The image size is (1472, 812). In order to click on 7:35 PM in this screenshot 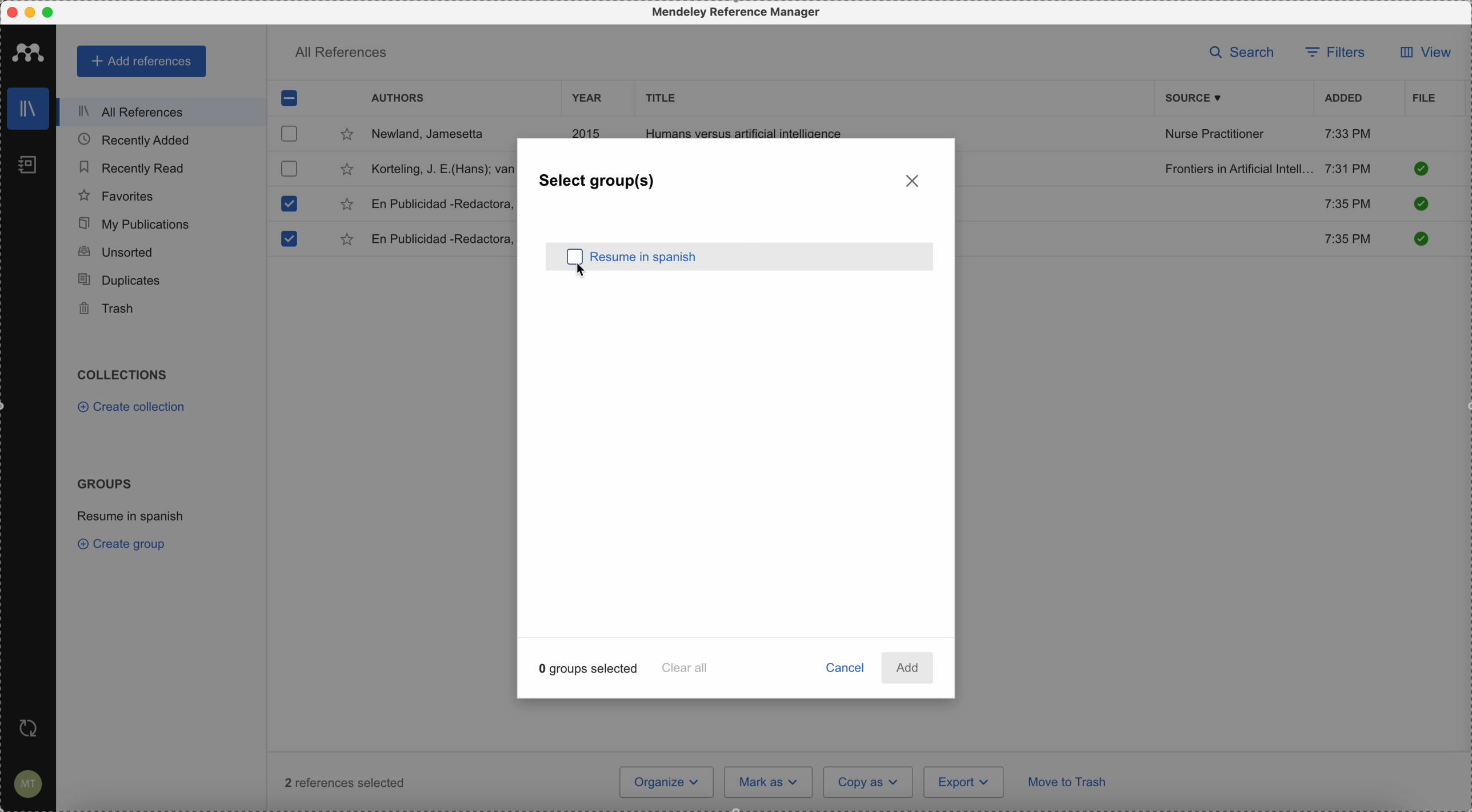, I will do `click(1350, 240)`.